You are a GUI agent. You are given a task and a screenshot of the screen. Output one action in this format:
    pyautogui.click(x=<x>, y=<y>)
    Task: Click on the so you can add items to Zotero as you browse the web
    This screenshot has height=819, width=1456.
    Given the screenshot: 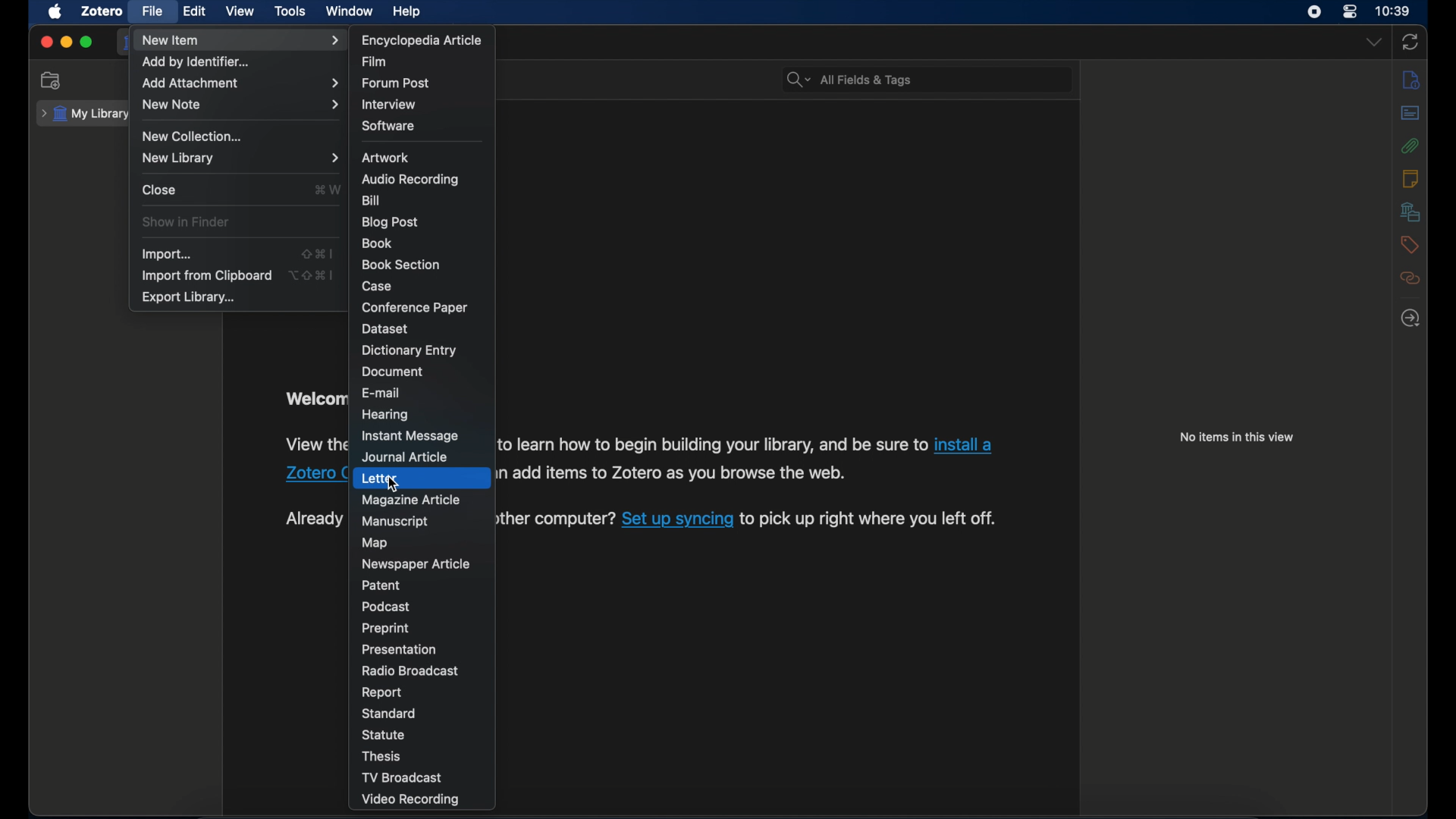 What is the action you would take?
    pyautogui.click(x=675, y=472)
    